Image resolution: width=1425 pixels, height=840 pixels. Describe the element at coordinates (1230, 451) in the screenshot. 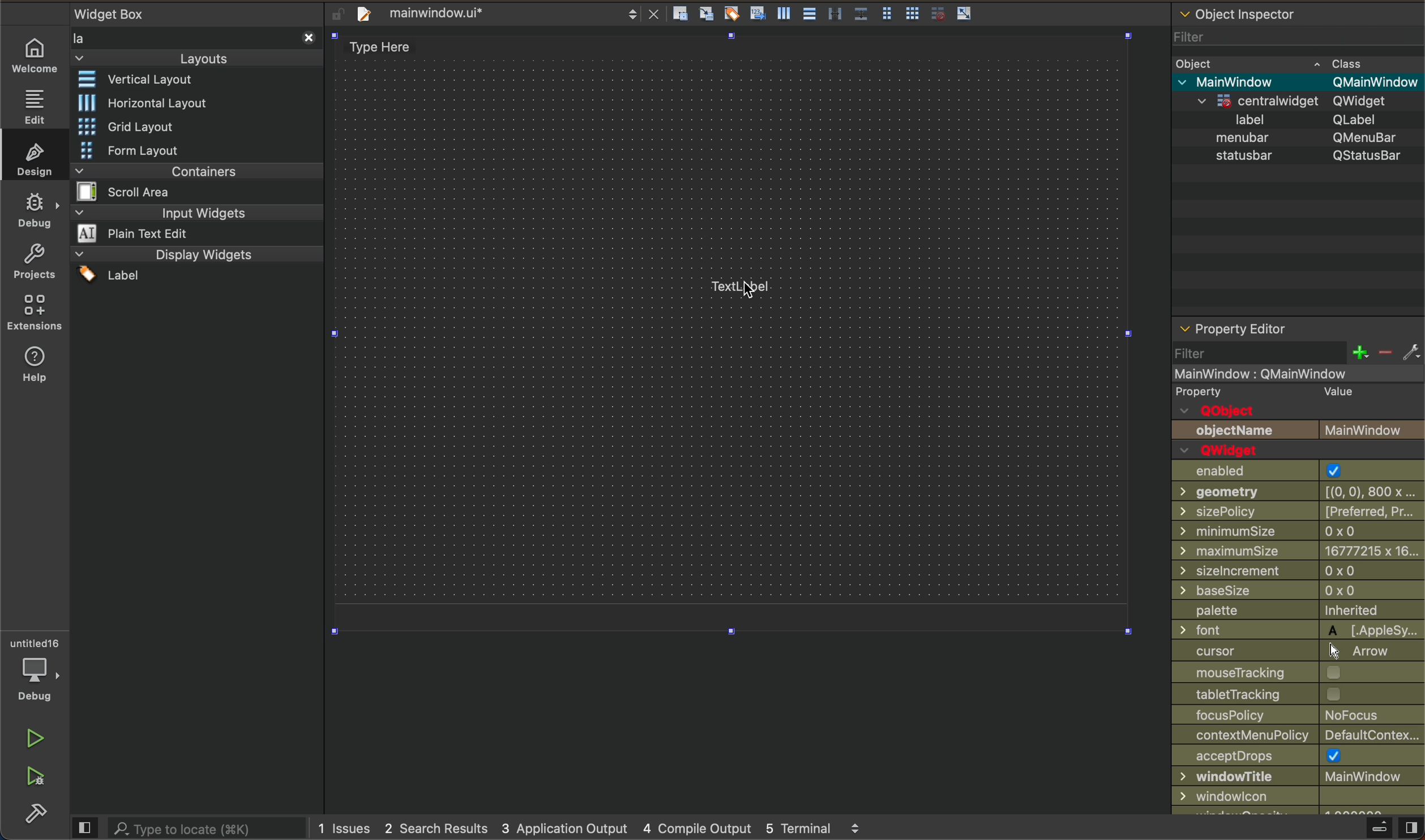

I see `qwidget` at that location.